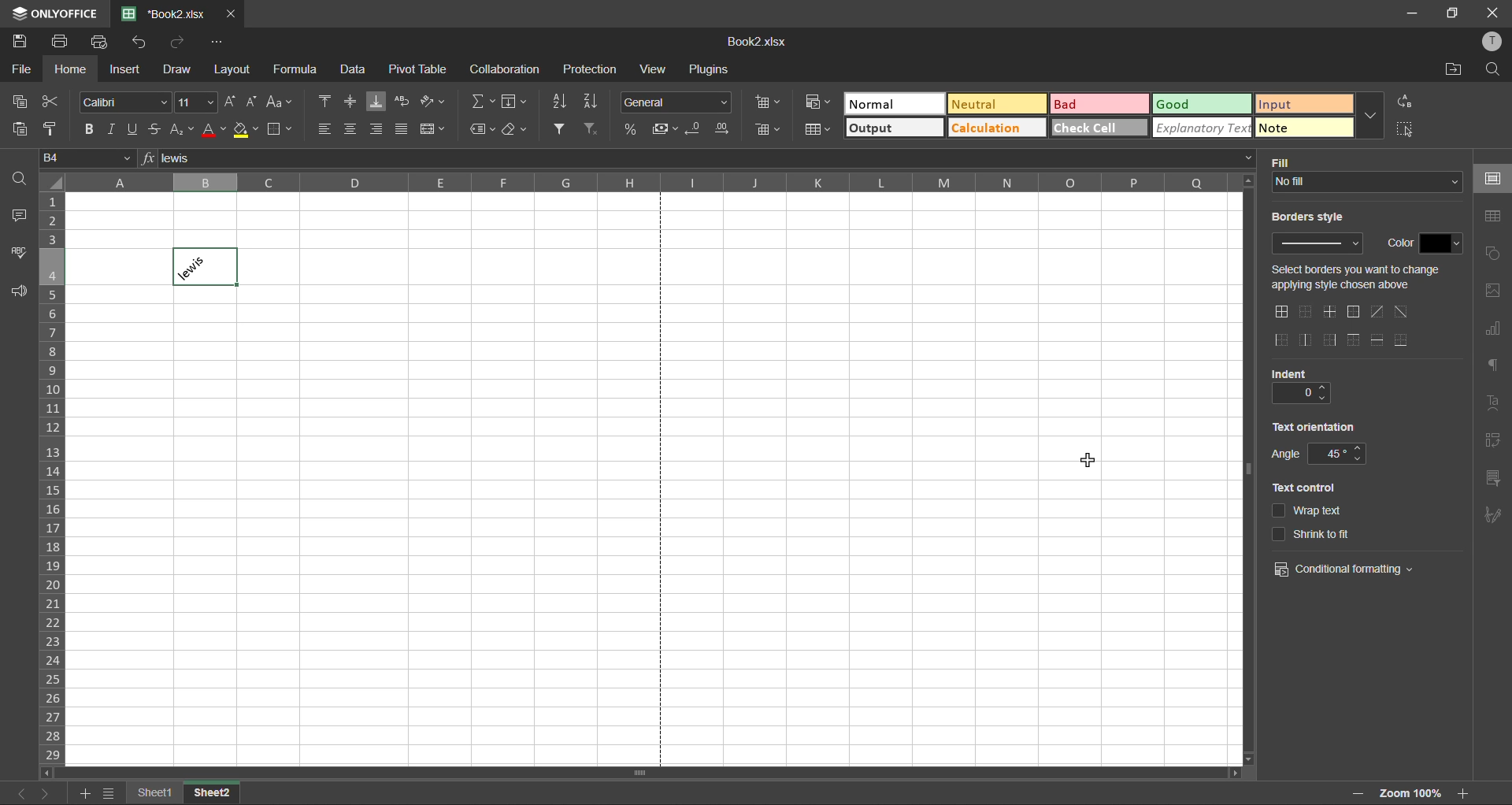  I want to click on pivot table, so click(1497, 443).